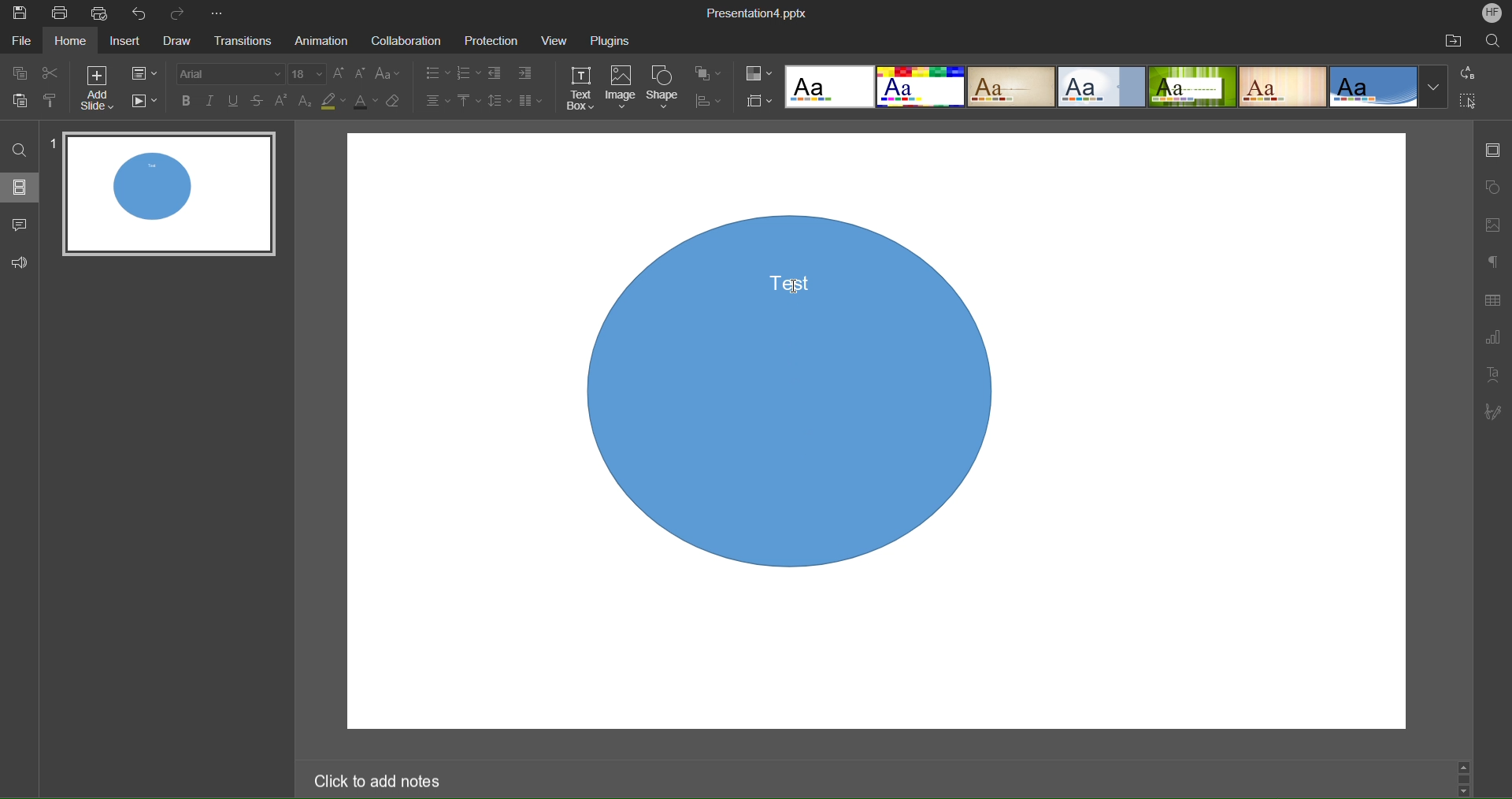 The height and width of the screenshot is (799, 1512). I want to click on Account, so click(1489, 11).